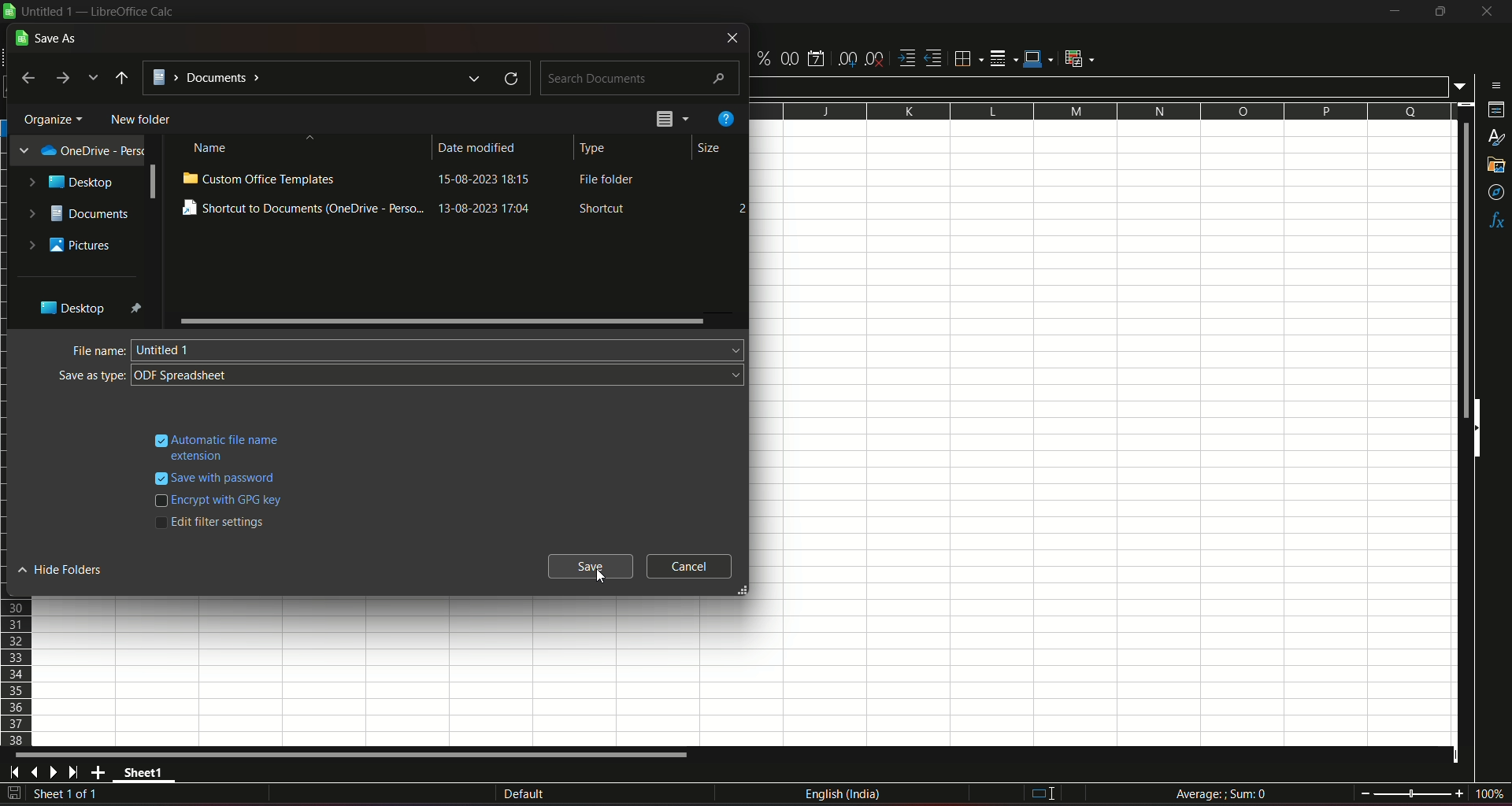 This screenshot has width=1512, height=806. Describe the element at coordinates (849, 59) in the screenshot. I see `add decimal point` at that location.